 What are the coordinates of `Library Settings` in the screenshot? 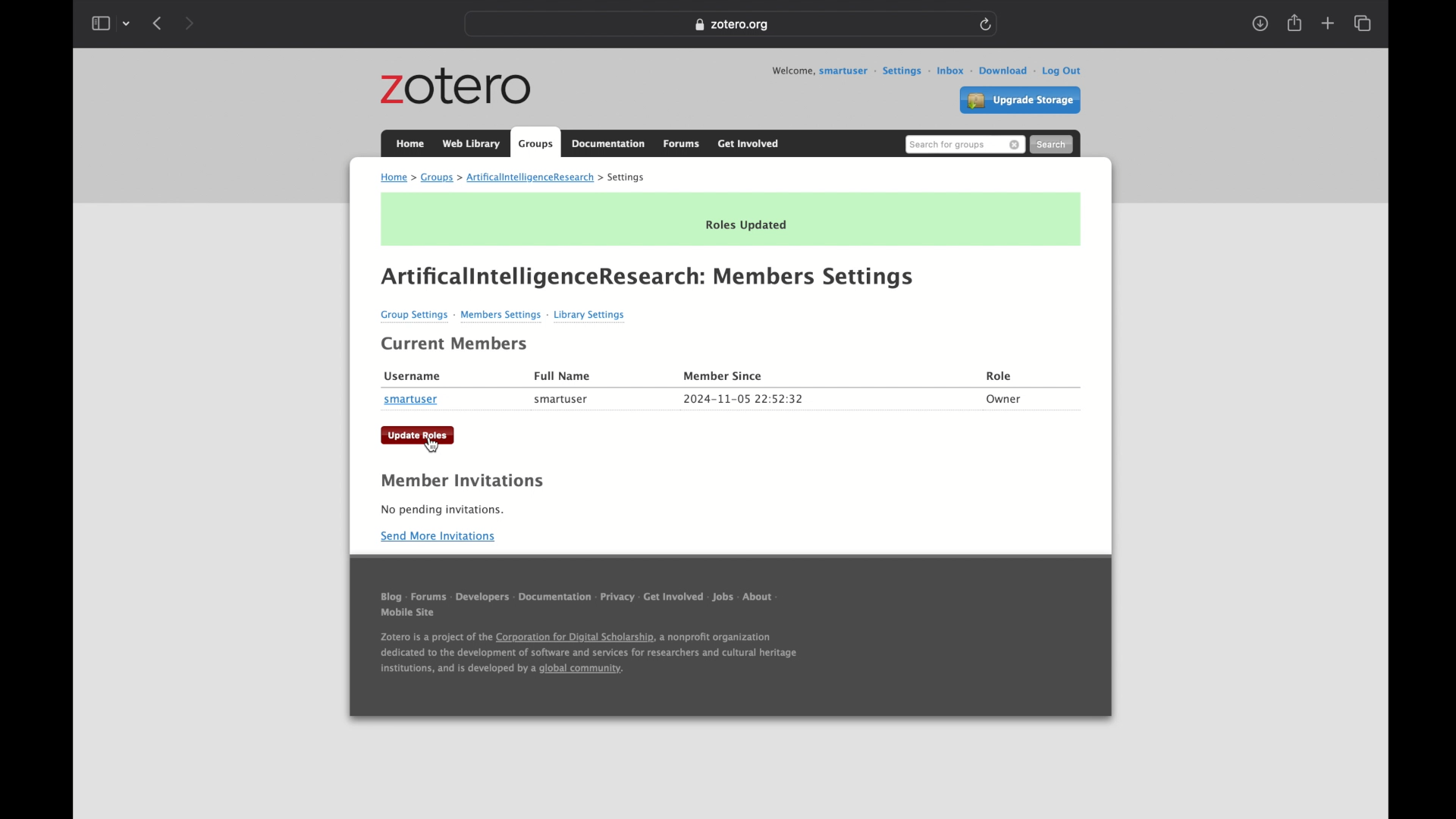 It's located at (602, 316).